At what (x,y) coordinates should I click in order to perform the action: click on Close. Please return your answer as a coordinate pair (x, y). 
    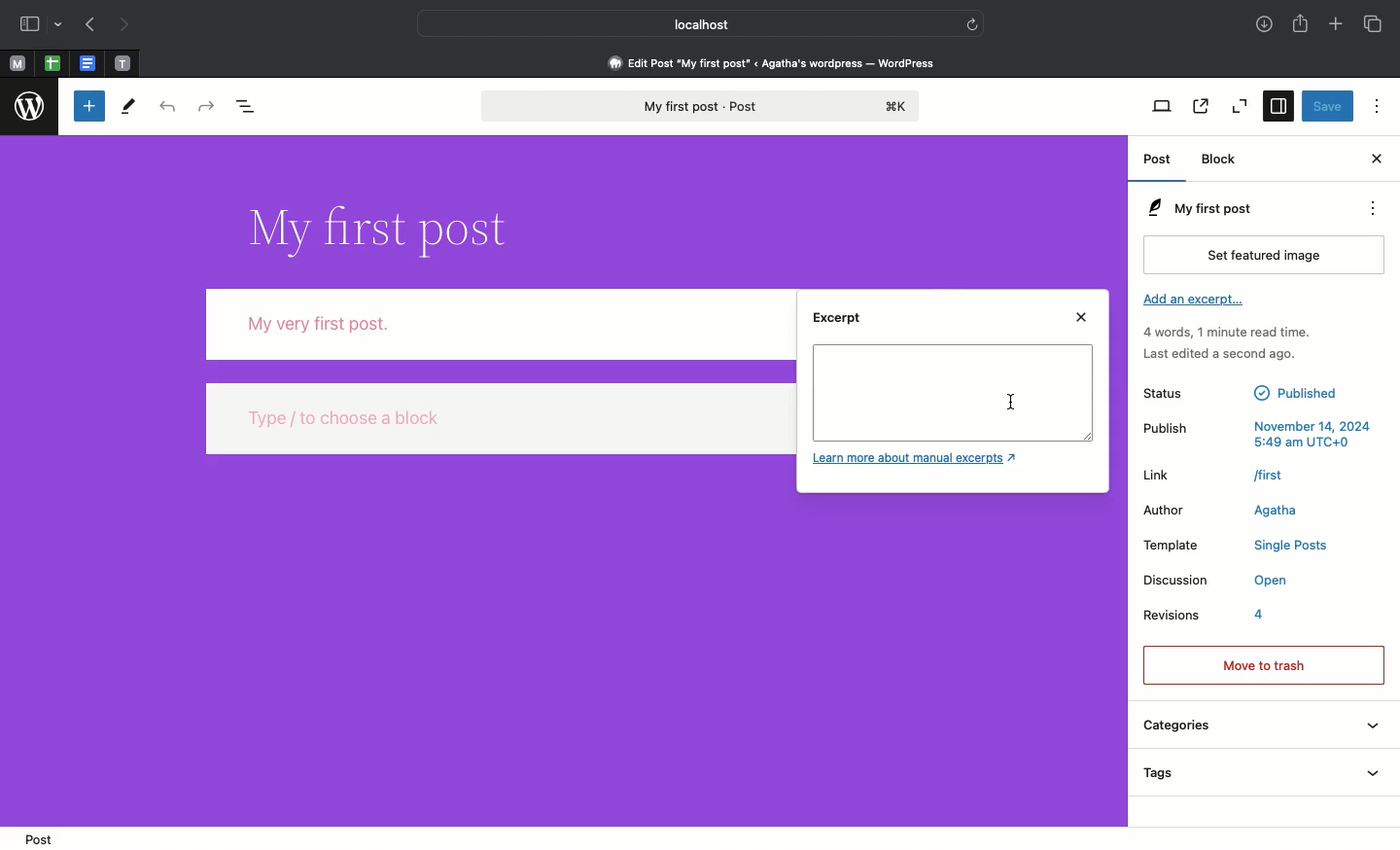
    Looking at the image, I should click on (1084, 318).